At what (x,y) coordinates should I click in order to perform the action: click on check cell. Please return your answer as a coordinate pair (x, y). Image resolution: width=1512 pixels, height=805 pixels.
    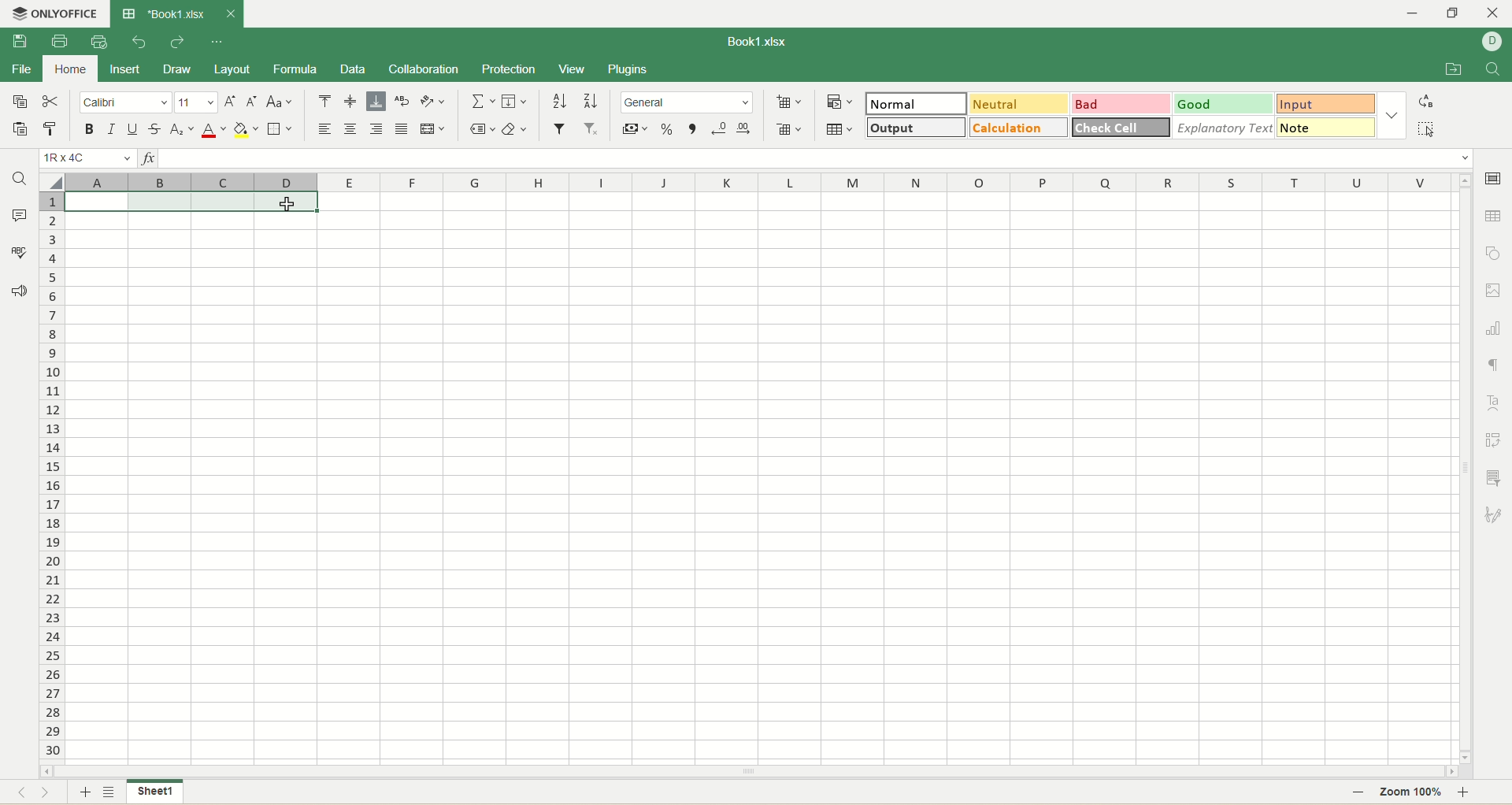
    Looking at the image, I should click on (1122, 128).